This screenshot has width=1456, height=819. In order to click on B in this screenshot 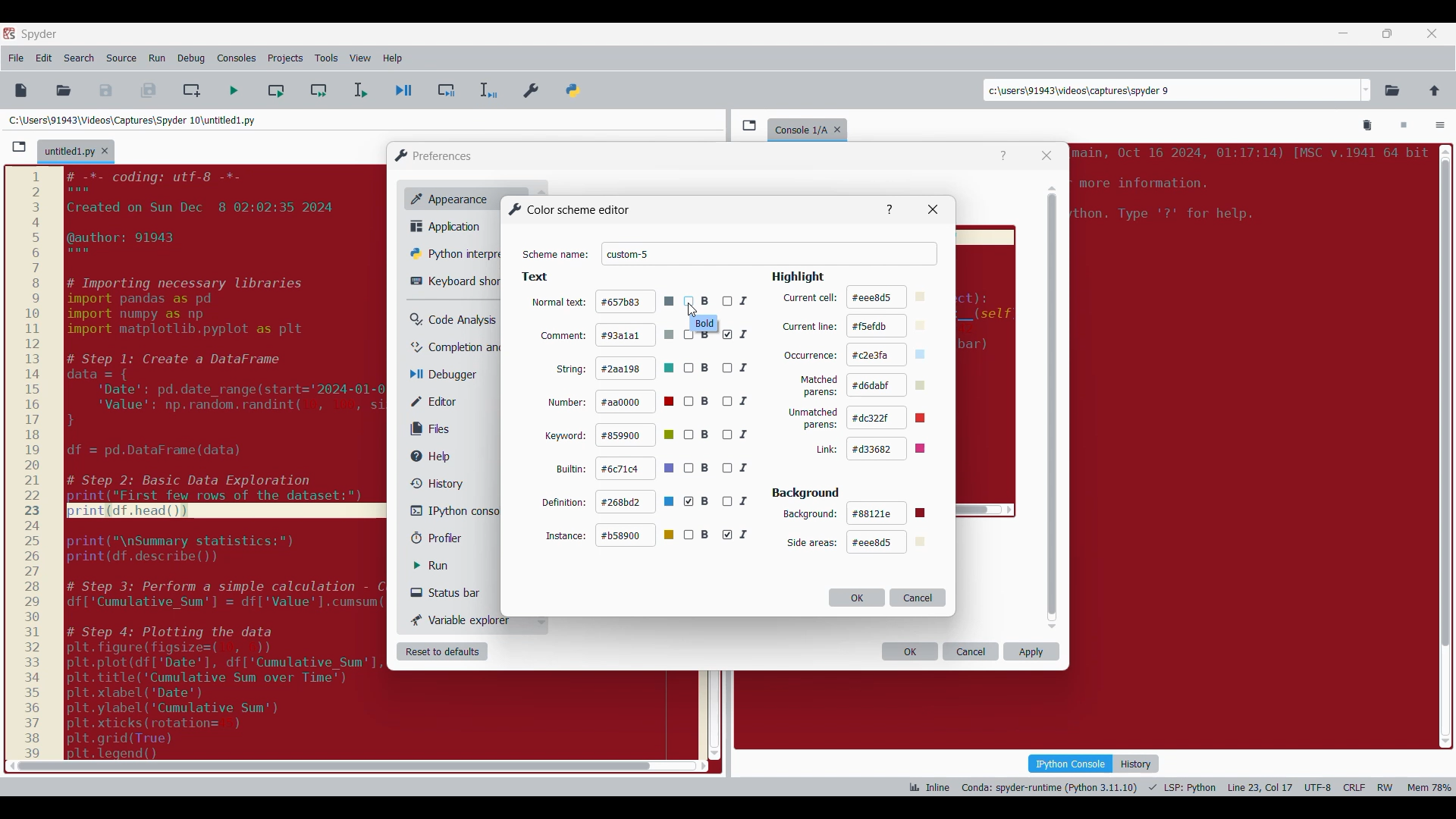, I will do `click(697, 535)`.